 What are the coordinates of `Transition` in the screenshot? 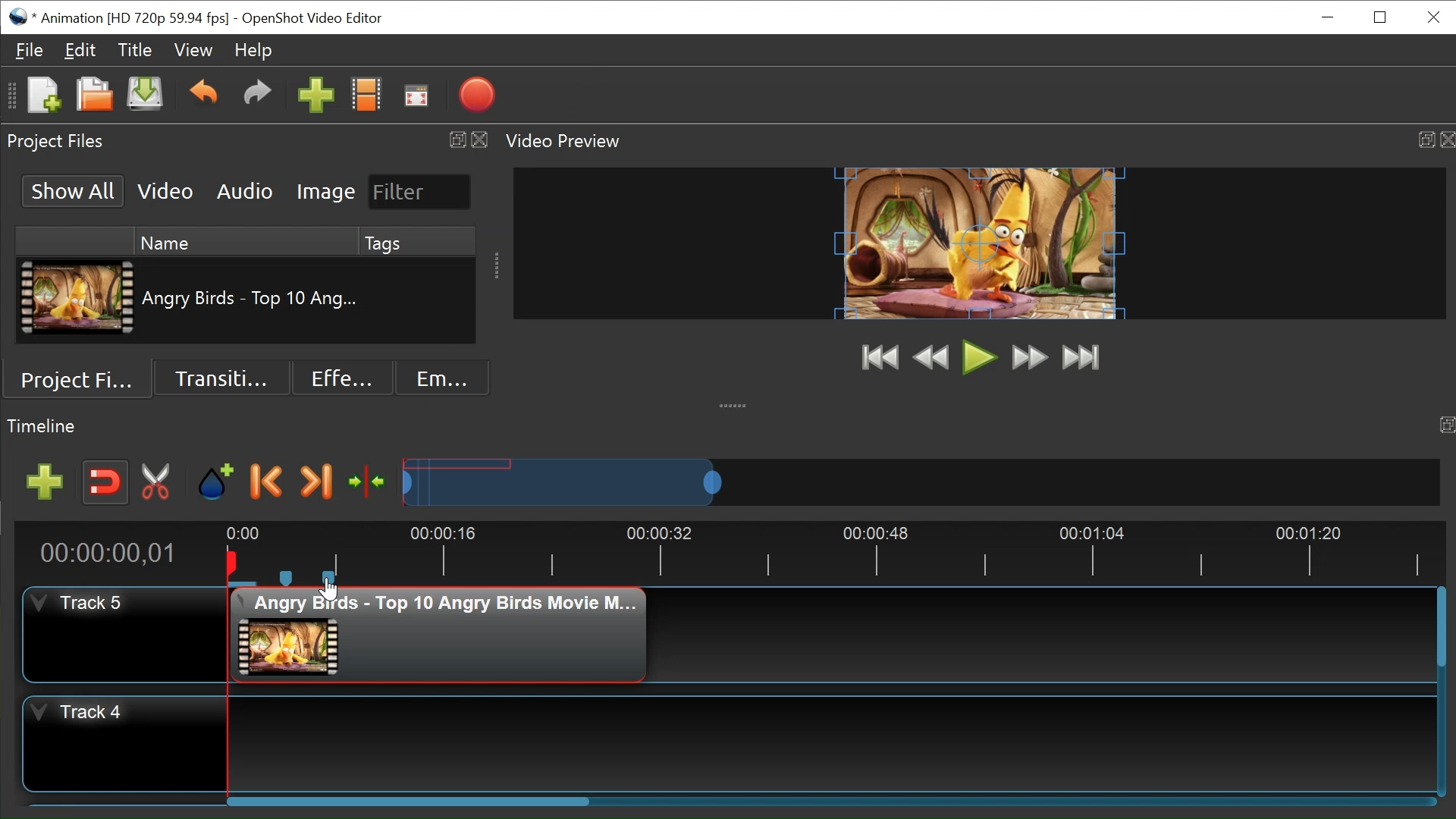 It's located at (221, 378).